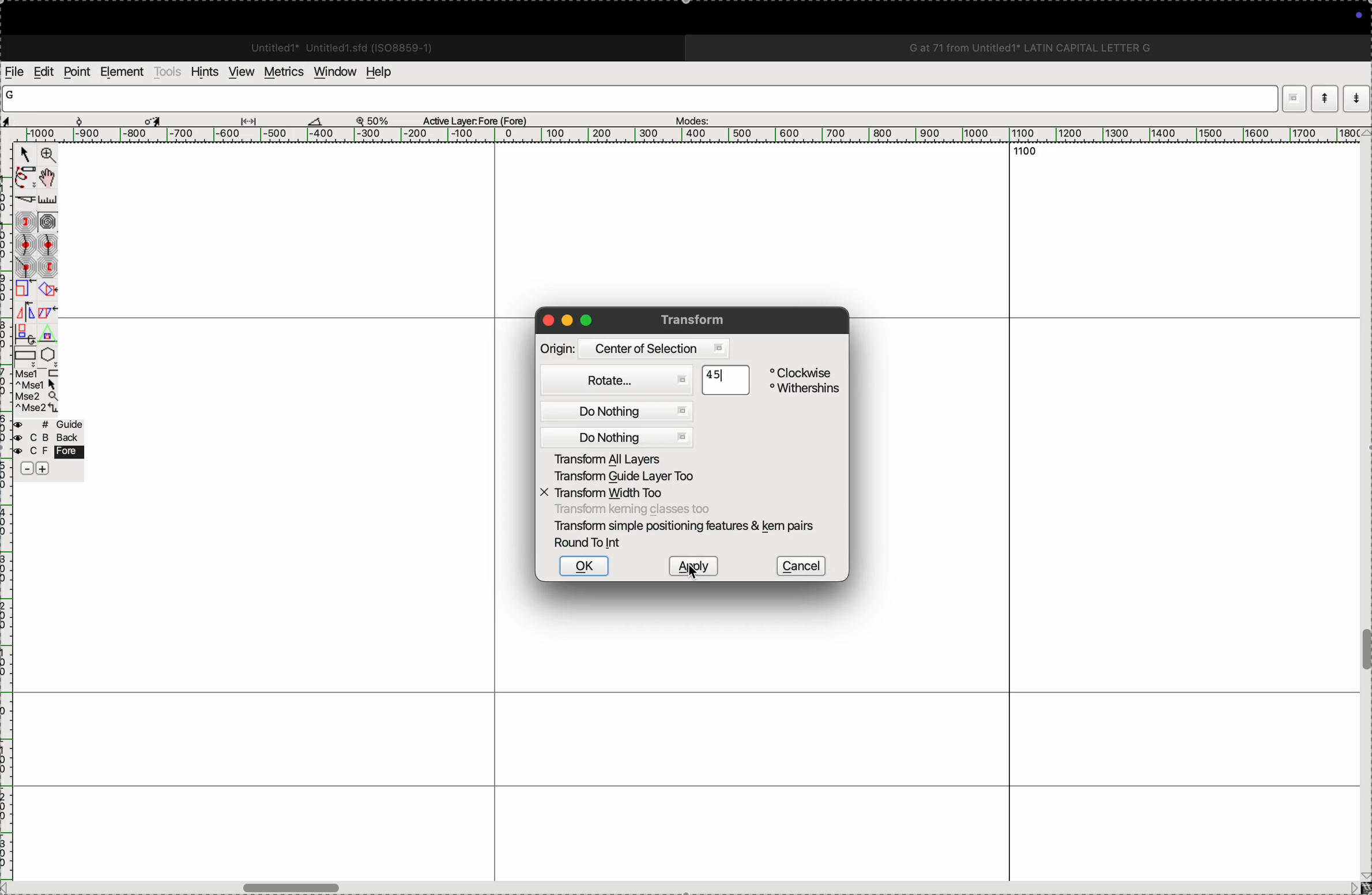 This screenshot has height=895, width=1372. What do you see at coordinates (49, 354) in the screenshot?
I see `polygon/star` at bounding box center [49, 354].